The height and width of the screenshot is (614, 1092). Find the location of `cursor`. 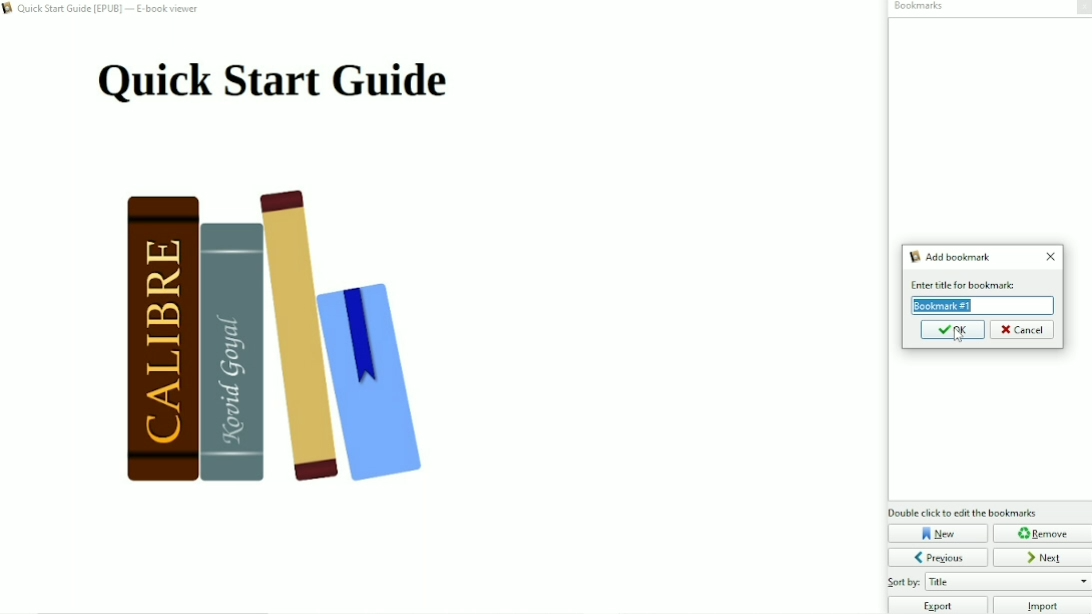

cursor is located at coordinates (961, 336).